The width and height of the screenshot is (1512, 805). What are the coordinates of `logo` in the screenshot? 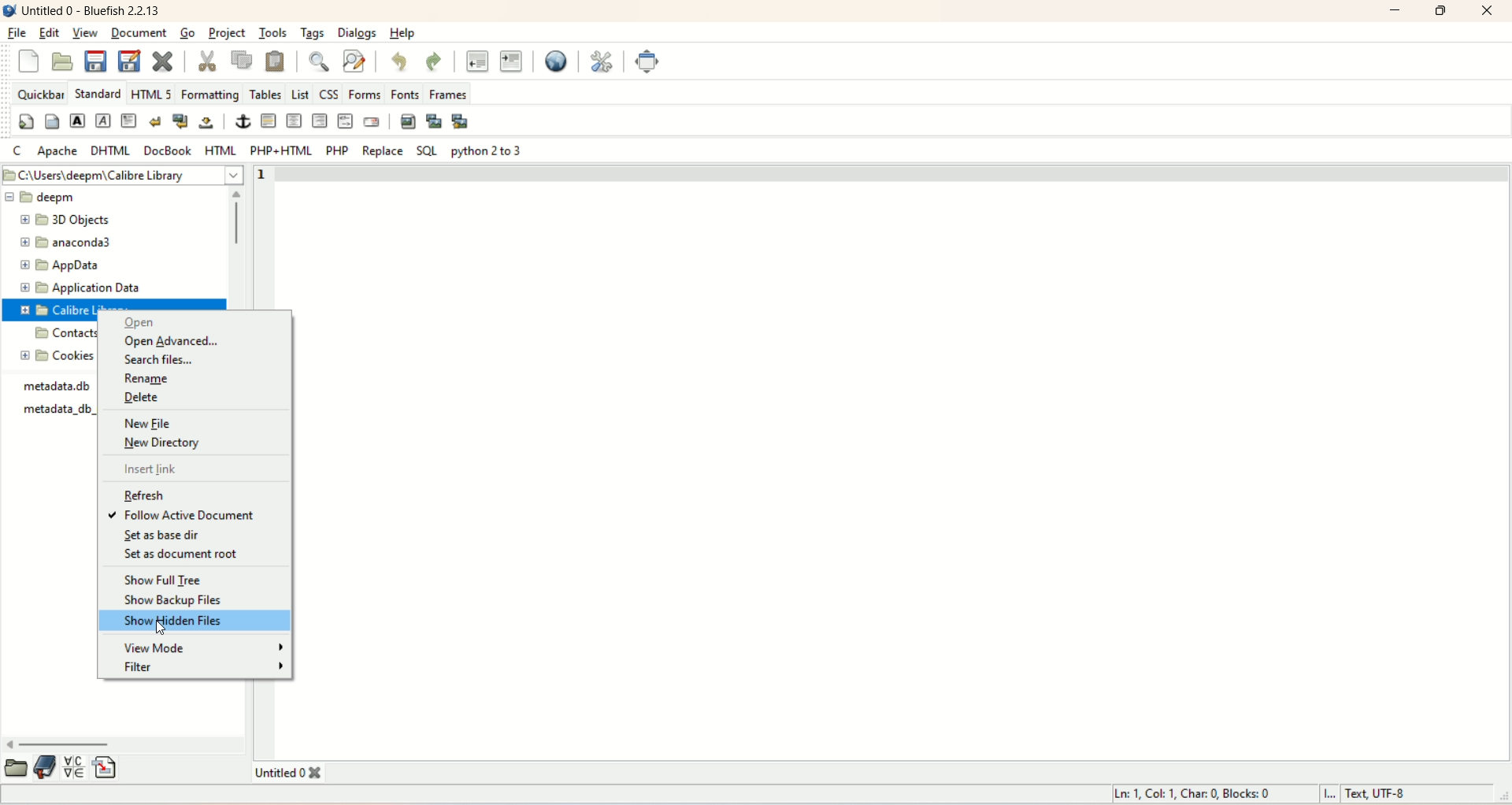 It's located at (9, 9).